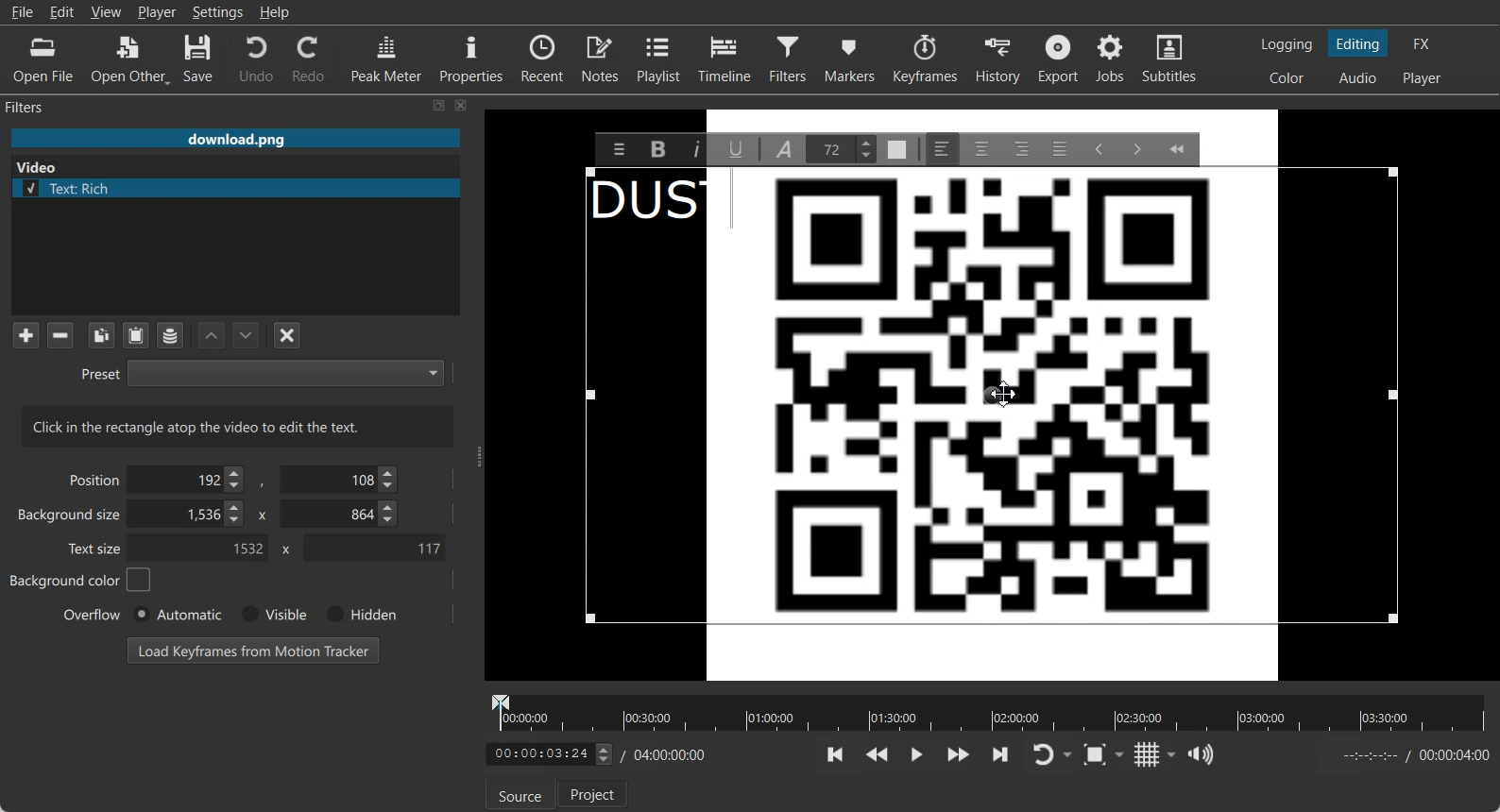  Describe the element at coordinates (130, 59) in the screenshot. I see `Open Other` at that location.